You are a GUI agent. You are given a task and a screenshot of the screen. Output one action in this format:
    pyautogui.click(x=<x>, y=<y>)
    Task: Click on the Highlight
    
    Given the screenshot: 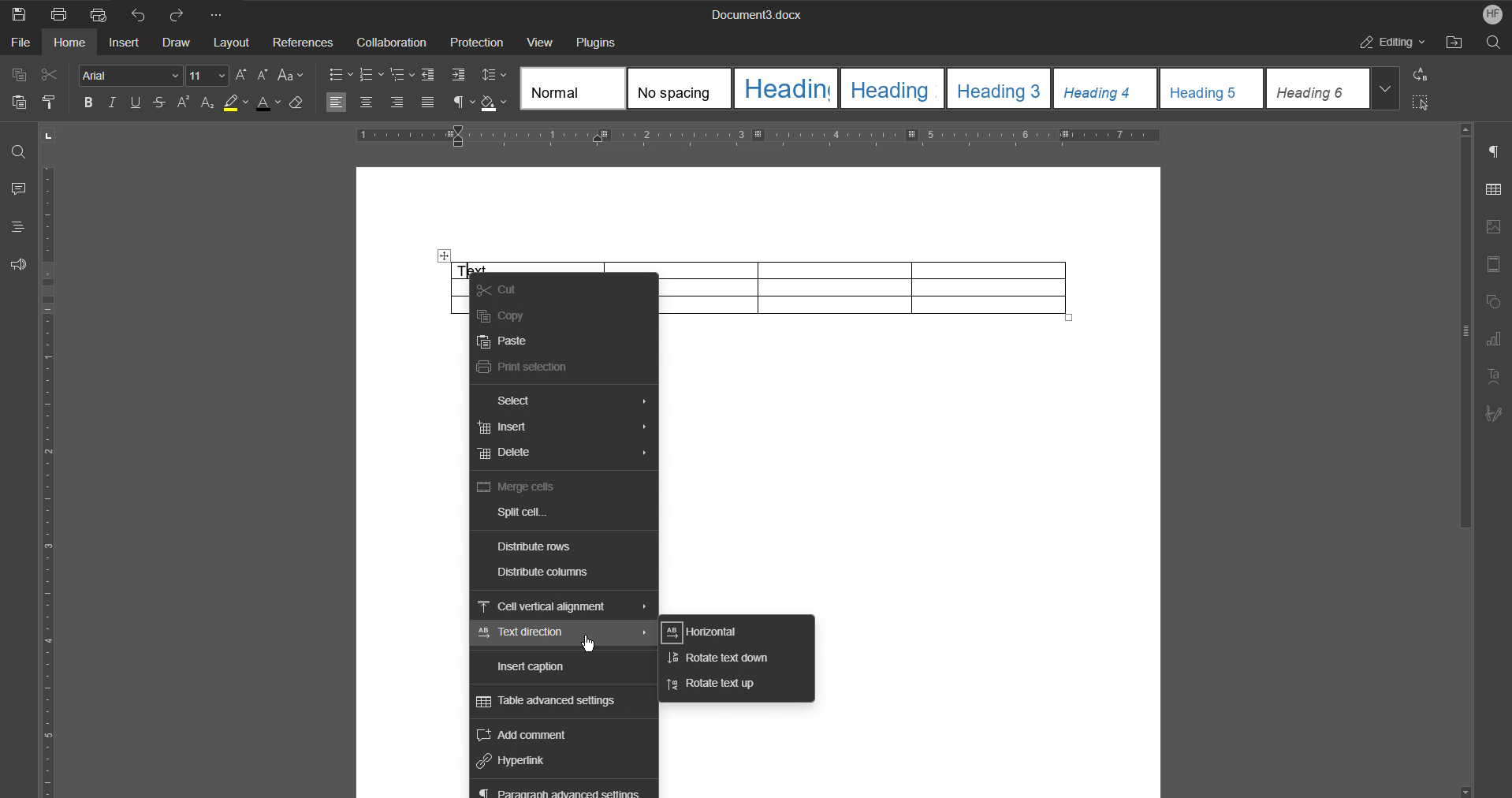 What is the action you would take?
    pyautogui.click(x=236, y=102)
    